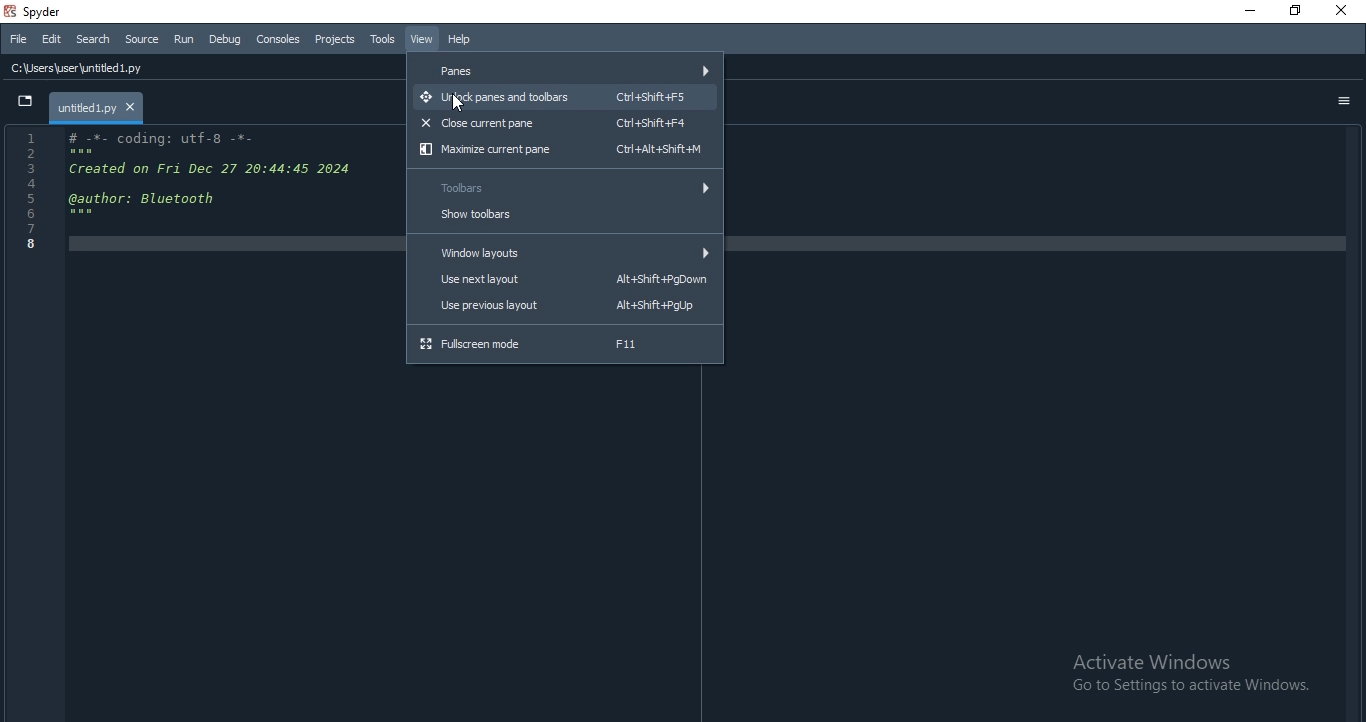 The height and width of the screenshot is (722, 1366). I want to click on fullscreen mode, so click(566, 344).